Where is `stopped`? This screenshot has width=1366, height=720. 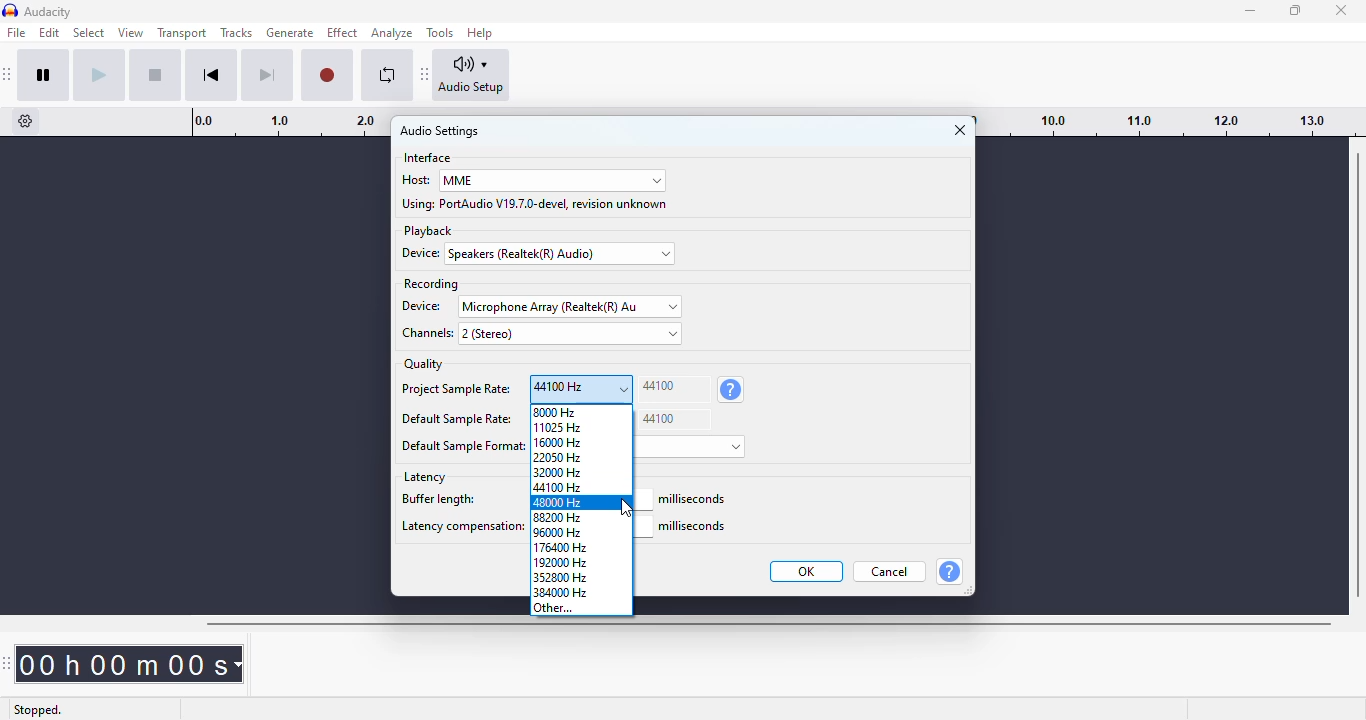 stopped is located at coordinates (40, 708).